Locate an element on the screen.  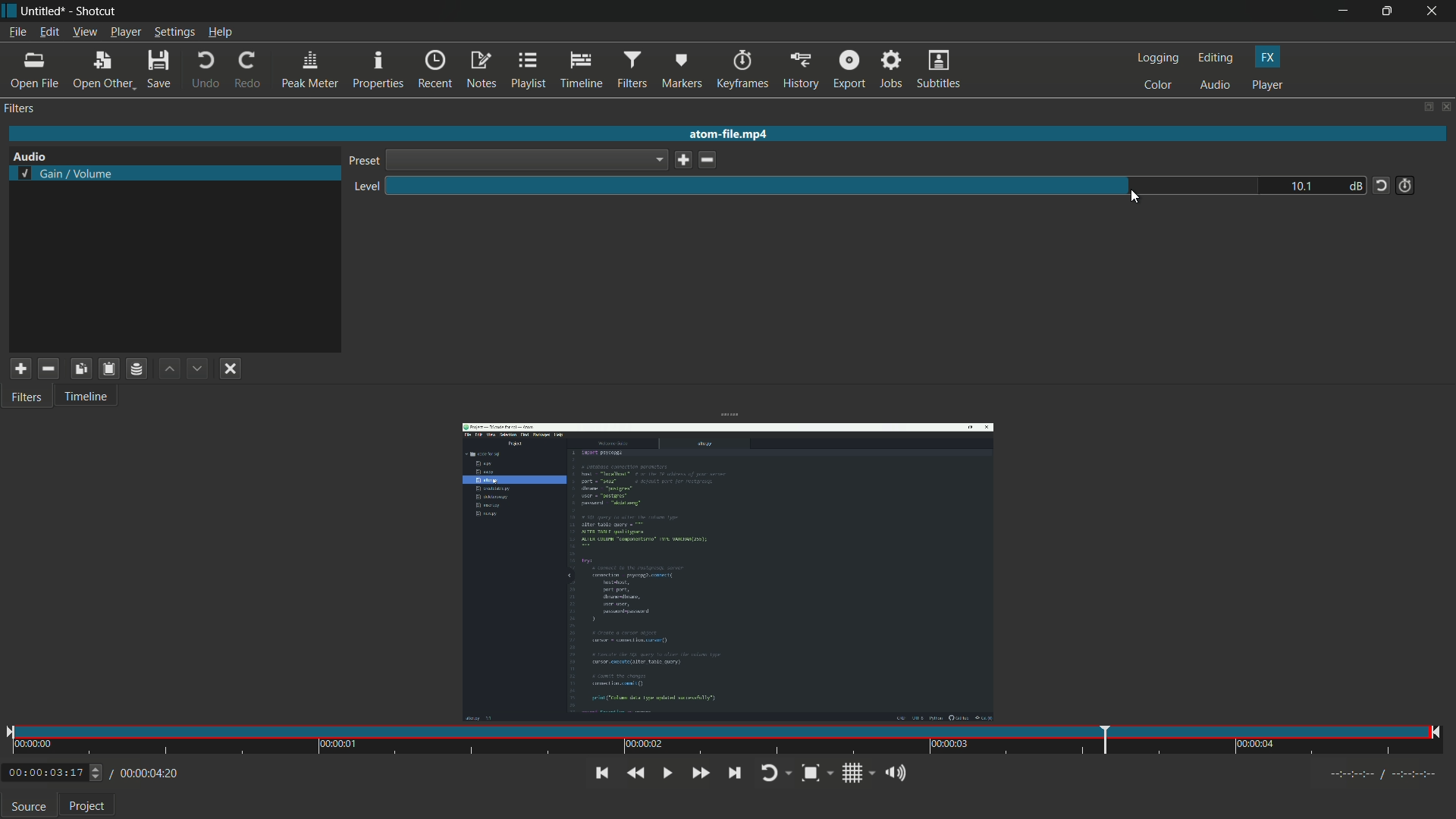
toggle player looping is located at coordinates (775, 774).